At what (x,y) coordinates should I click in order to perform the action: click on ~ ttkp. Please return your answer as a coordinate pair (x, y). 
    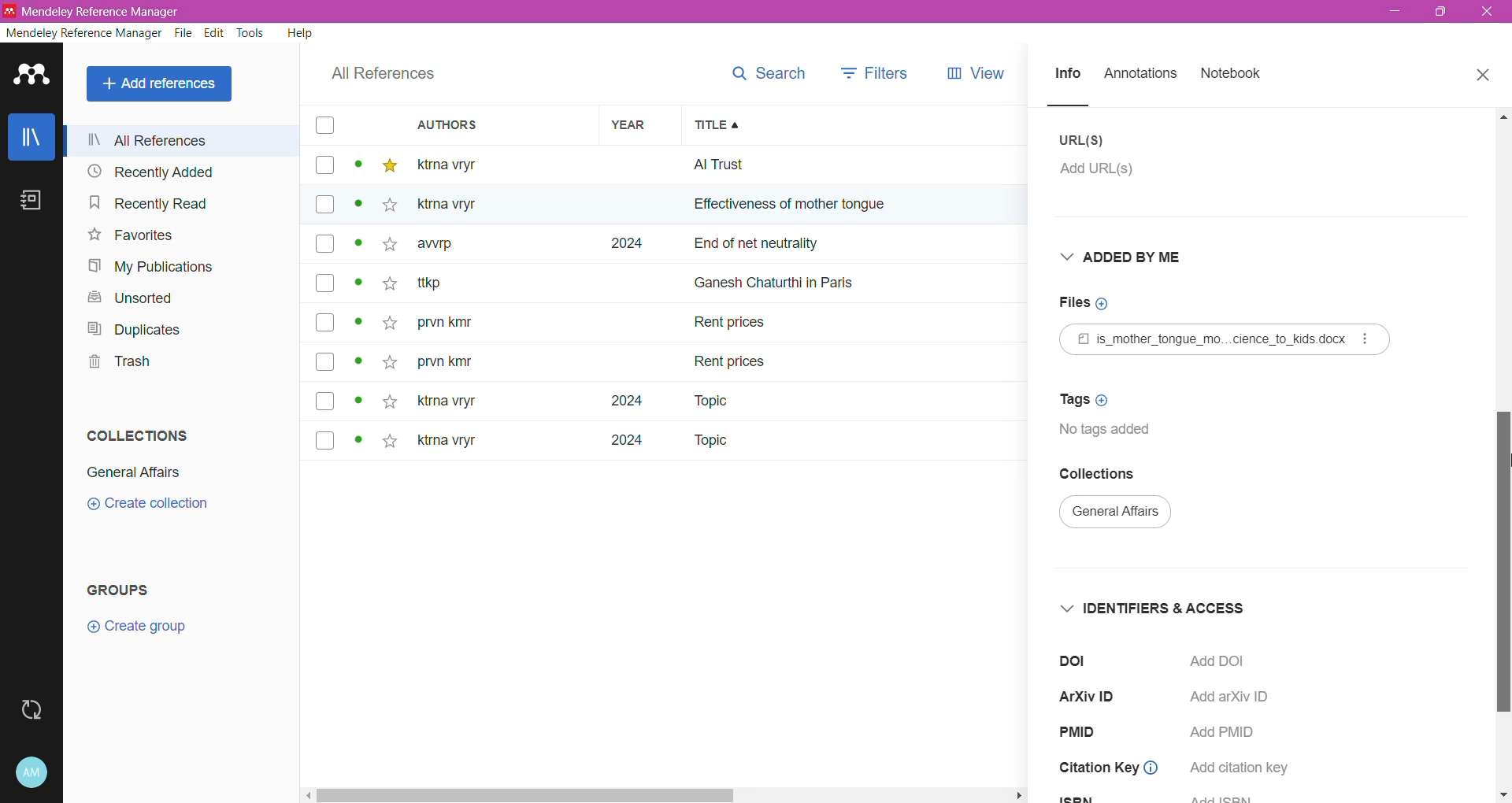
    Looking at the image, I should click on (455, 283).